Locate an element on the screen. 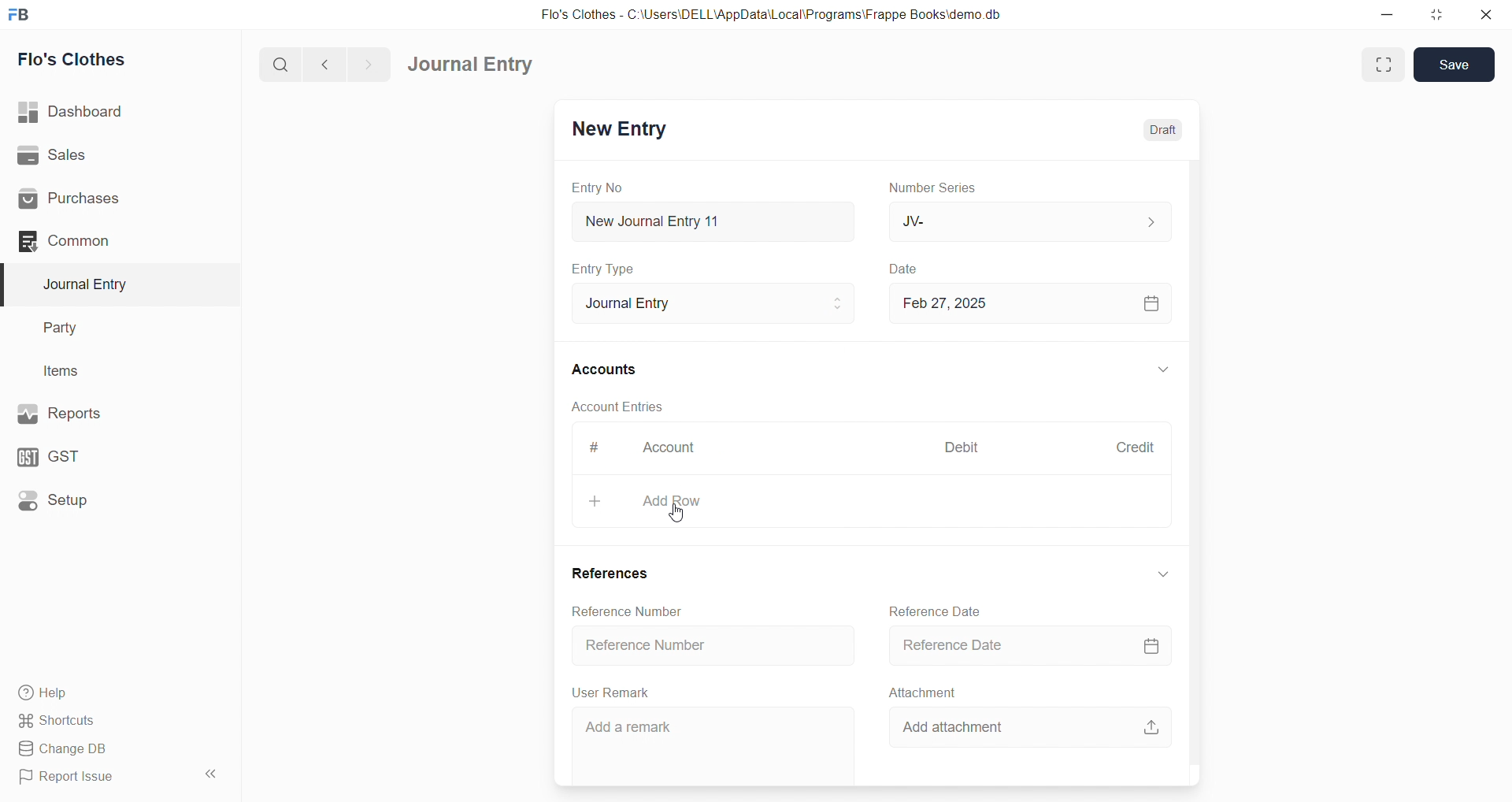 Image resolution: width=1512 pixels, height=802 pixels. References is located at coordinates (613, 575).